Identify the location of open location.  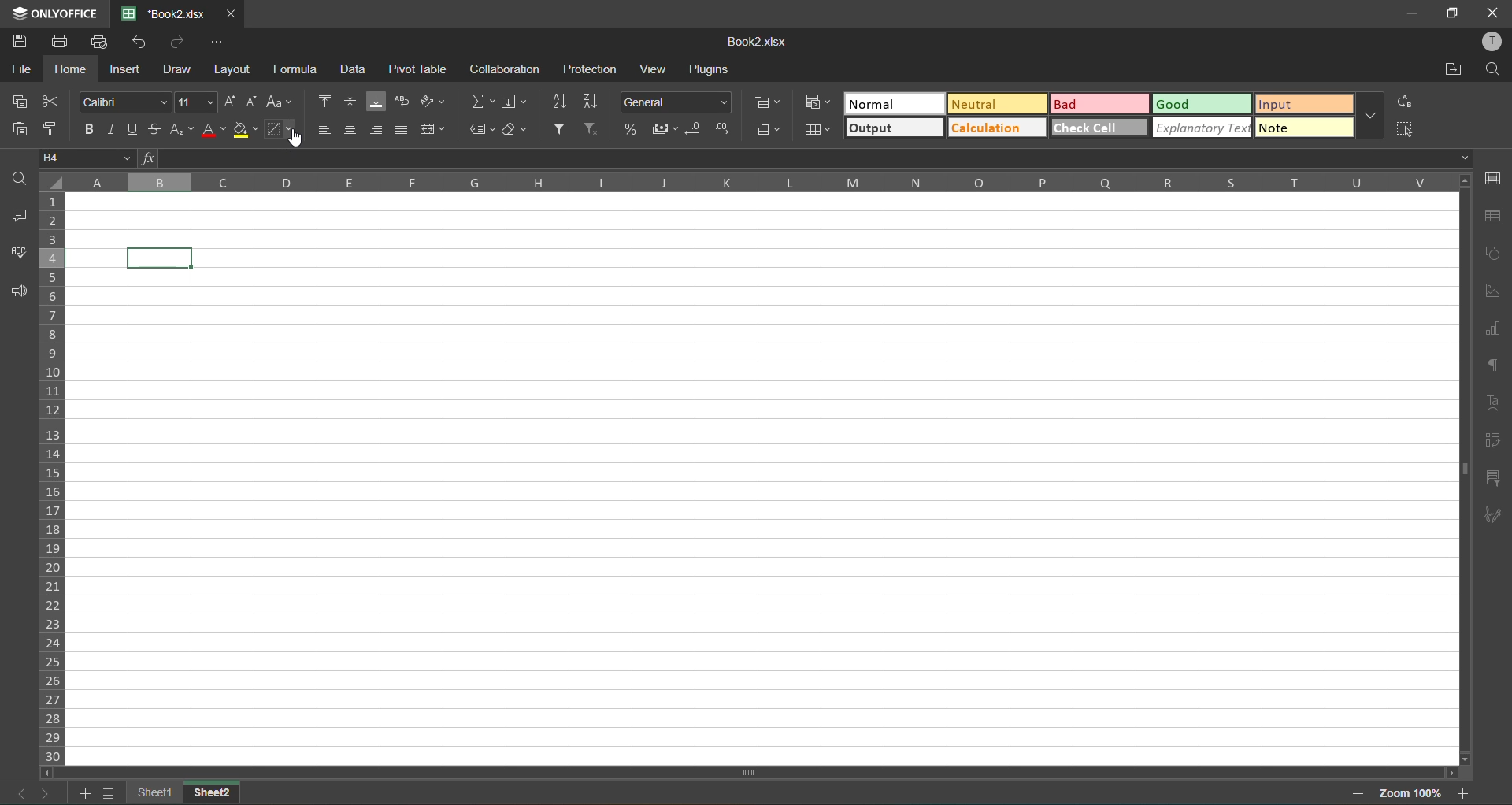
(1452, 70).